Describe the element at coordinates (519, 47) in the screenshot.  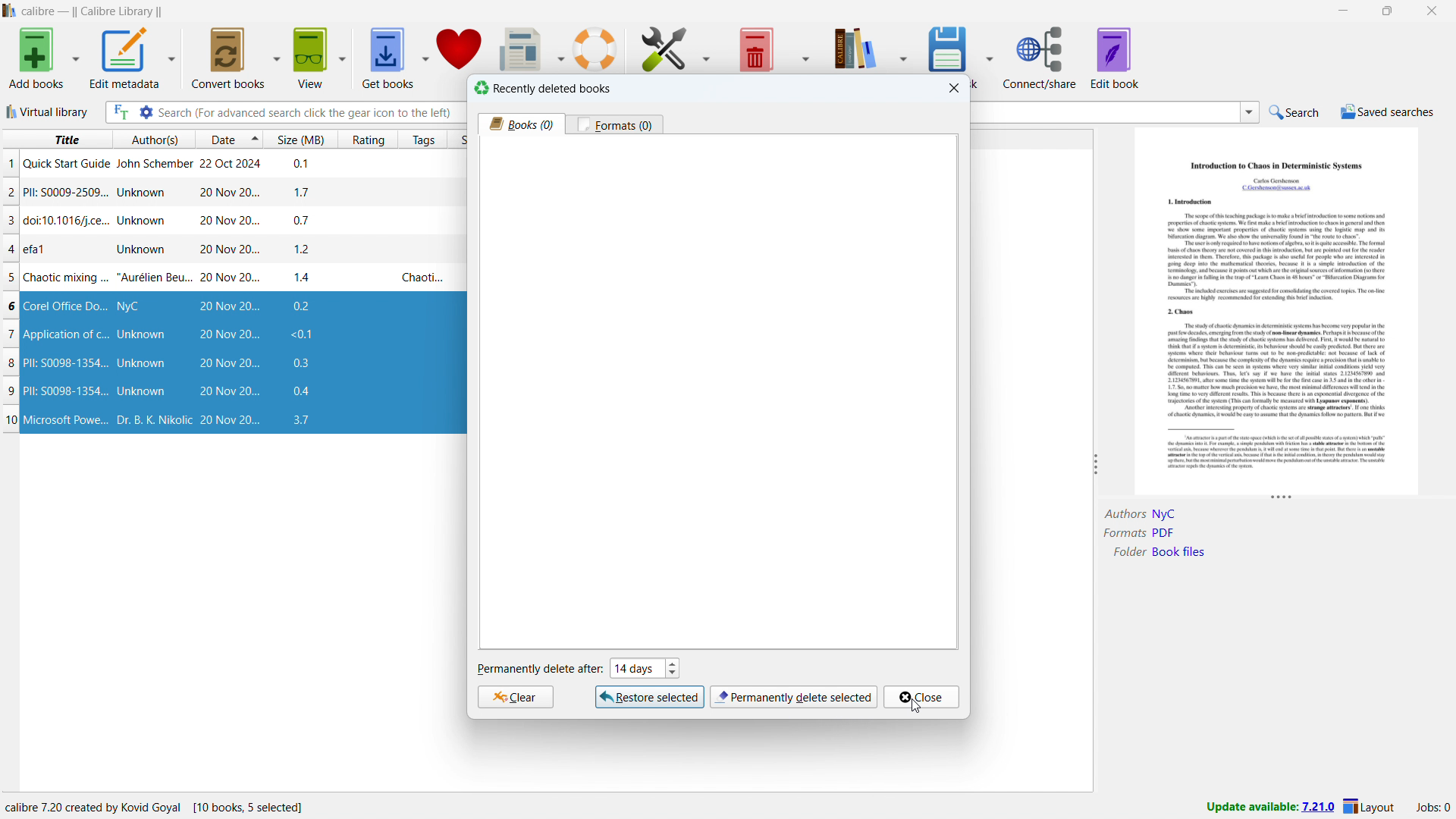
I see `fetch news` at that location.